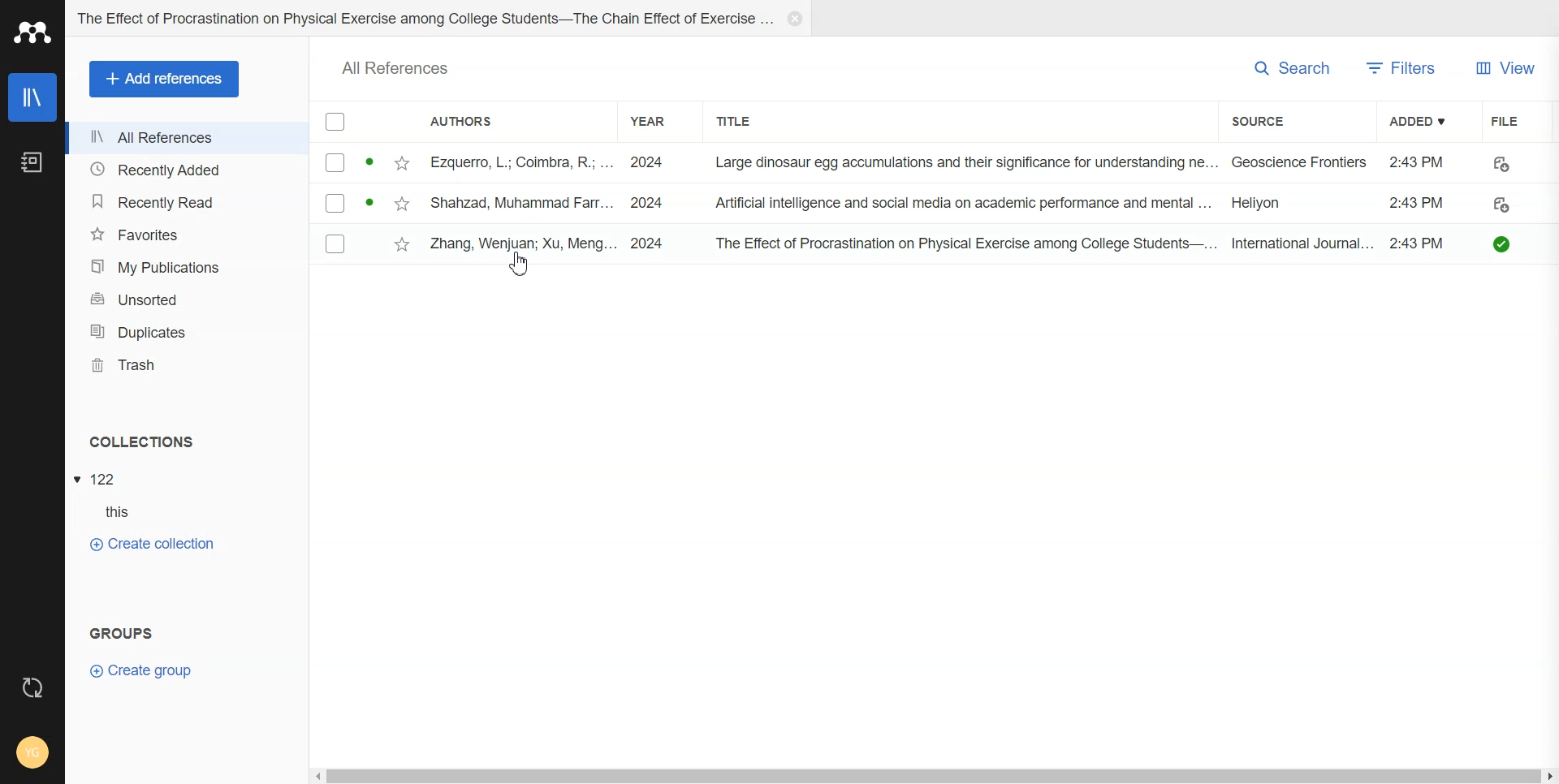  I want to click on Favorite, so click(404, 161).